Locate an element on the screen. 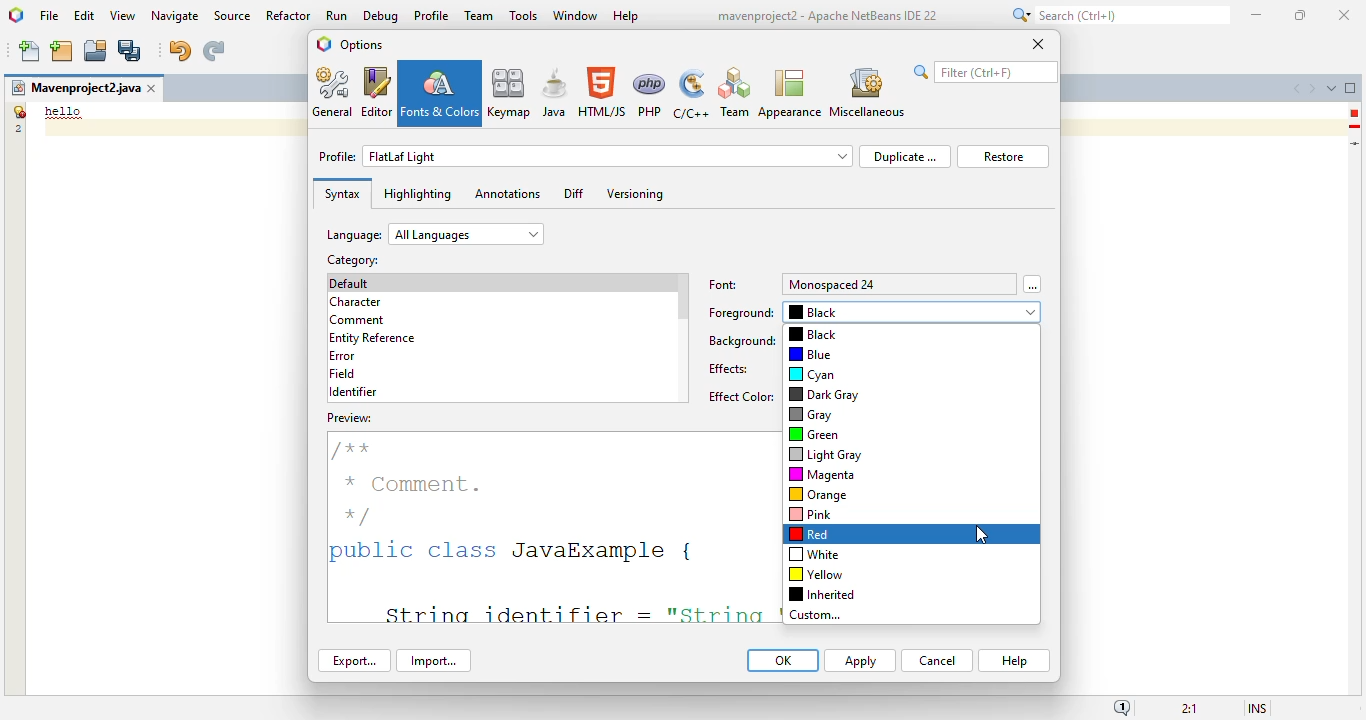  insert mode is located at coordinates (1257, 707).